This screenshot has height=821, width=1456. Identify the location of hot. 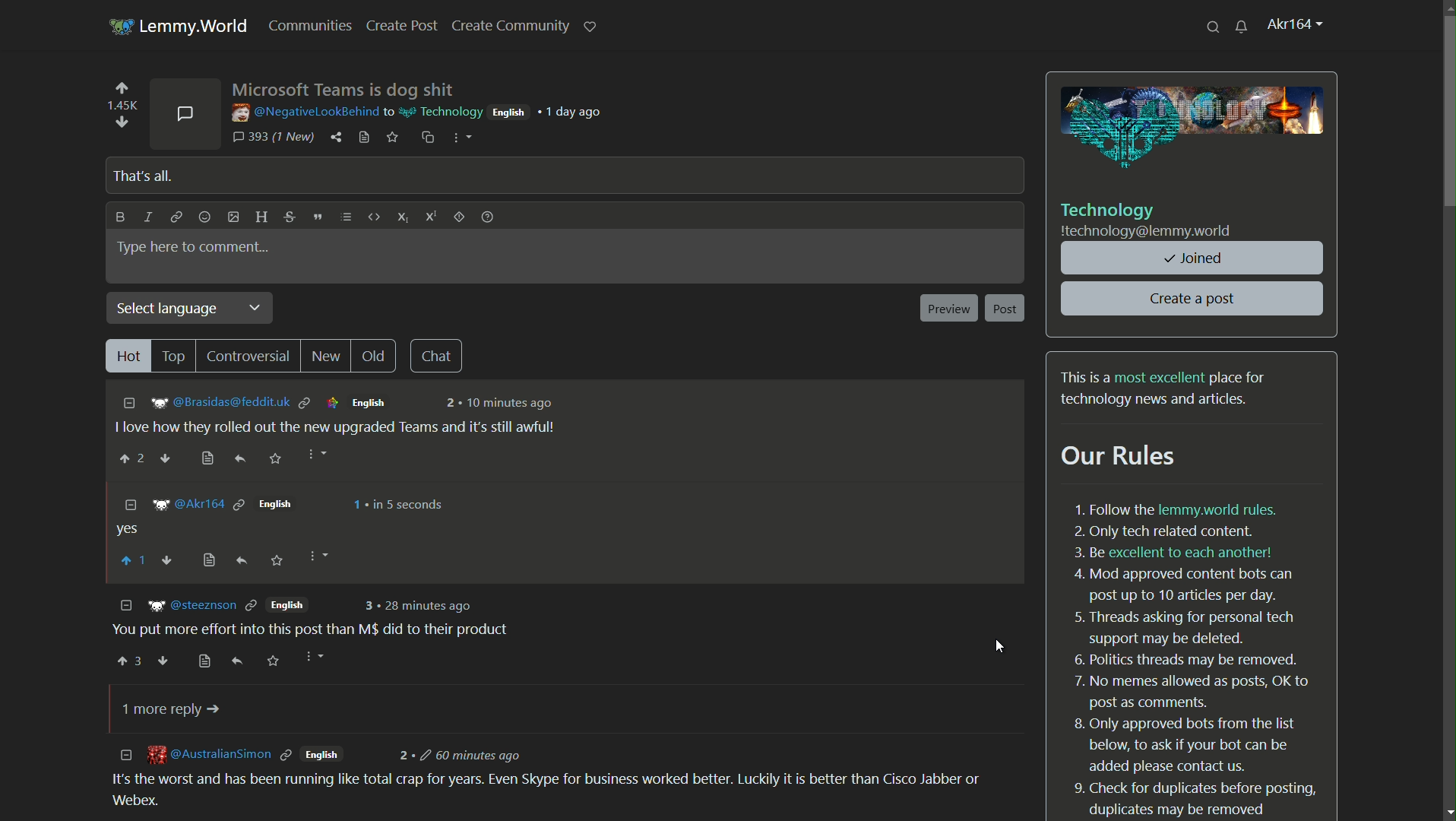
(127, 356).